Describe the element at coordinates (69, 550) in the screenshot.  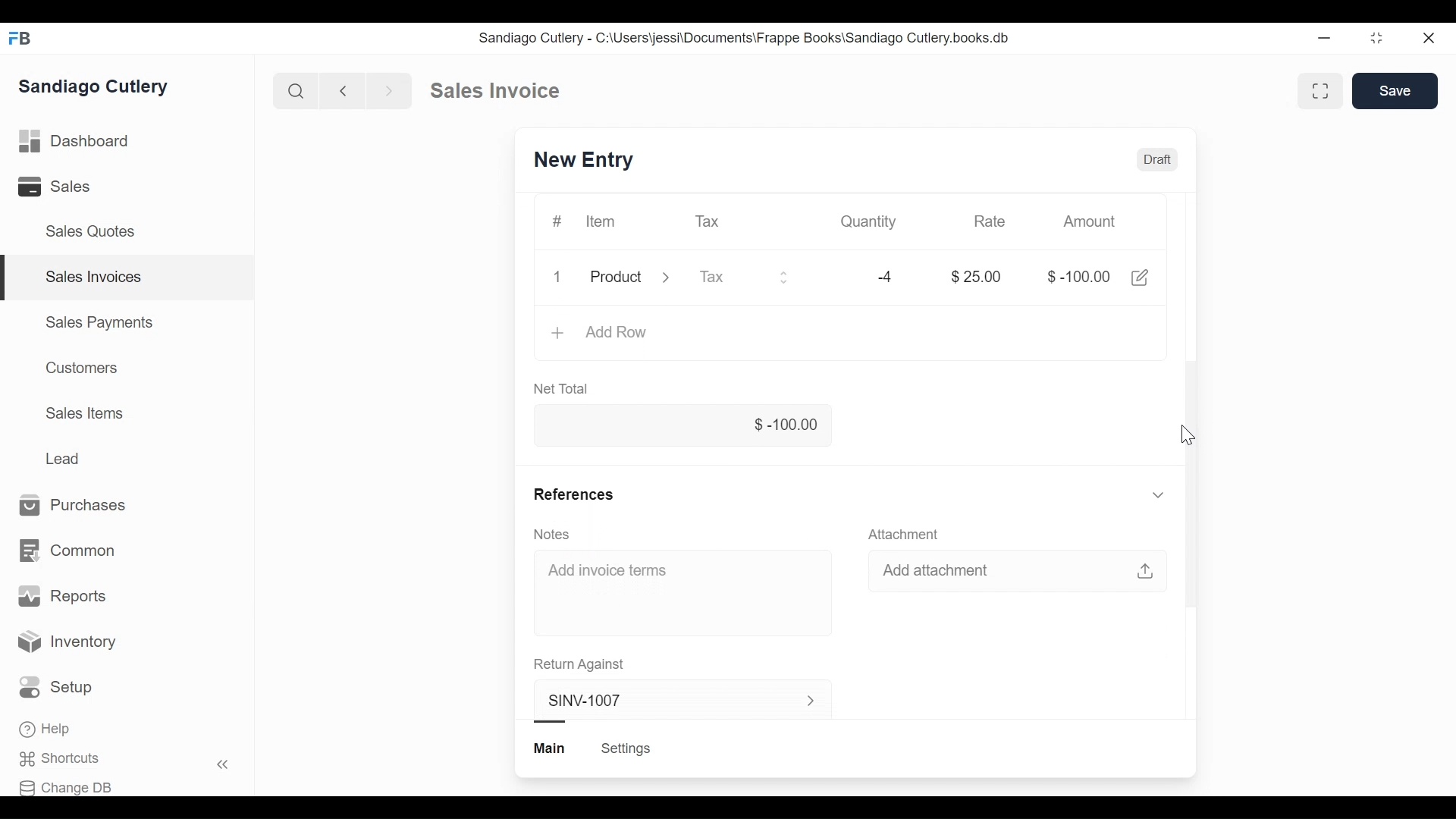
I see ` Common` at that location.